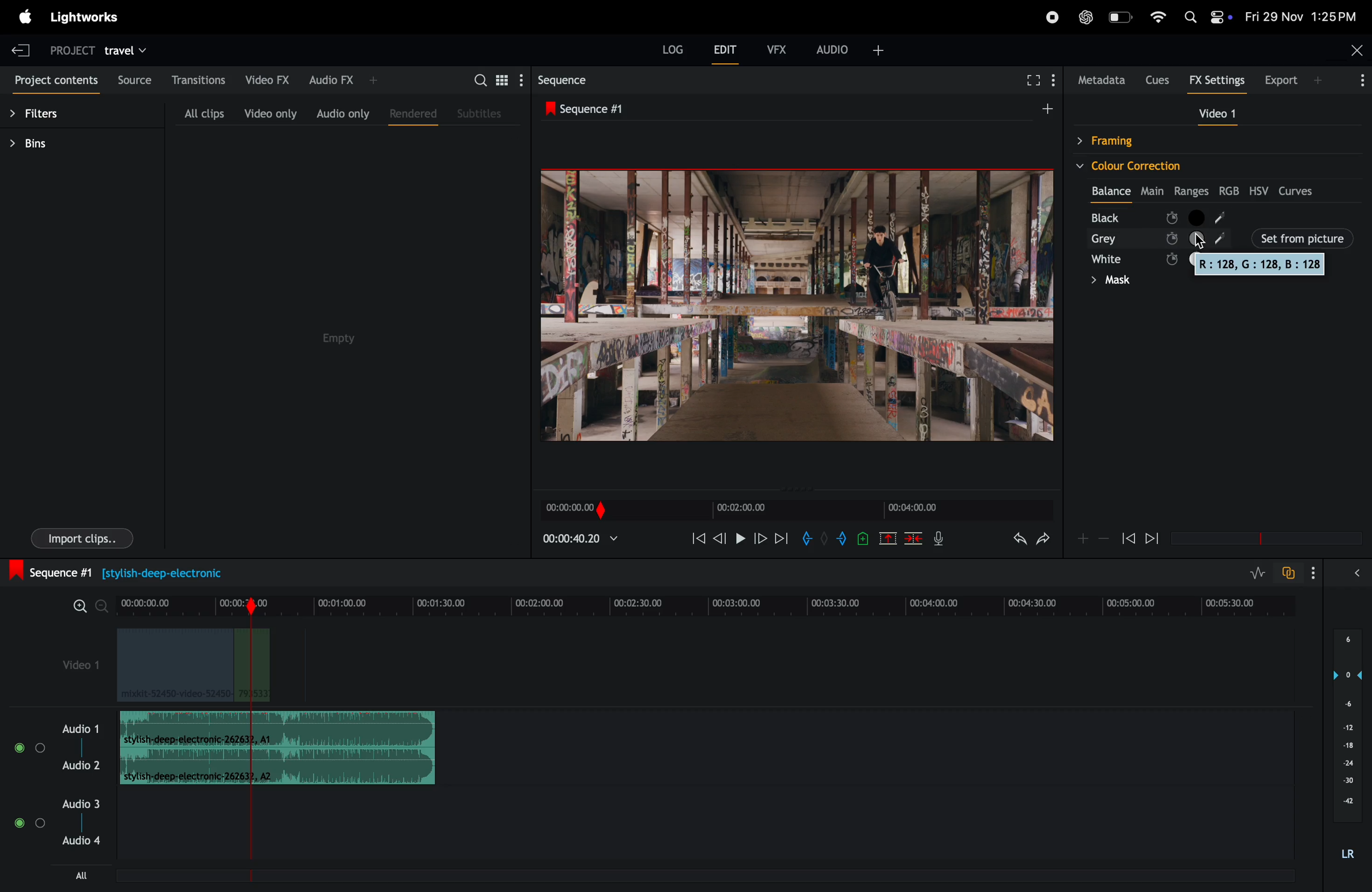  What do you see at coordinates (581, 78) in the screenshot?
I see `sequence` at bounding box center [581, 78].